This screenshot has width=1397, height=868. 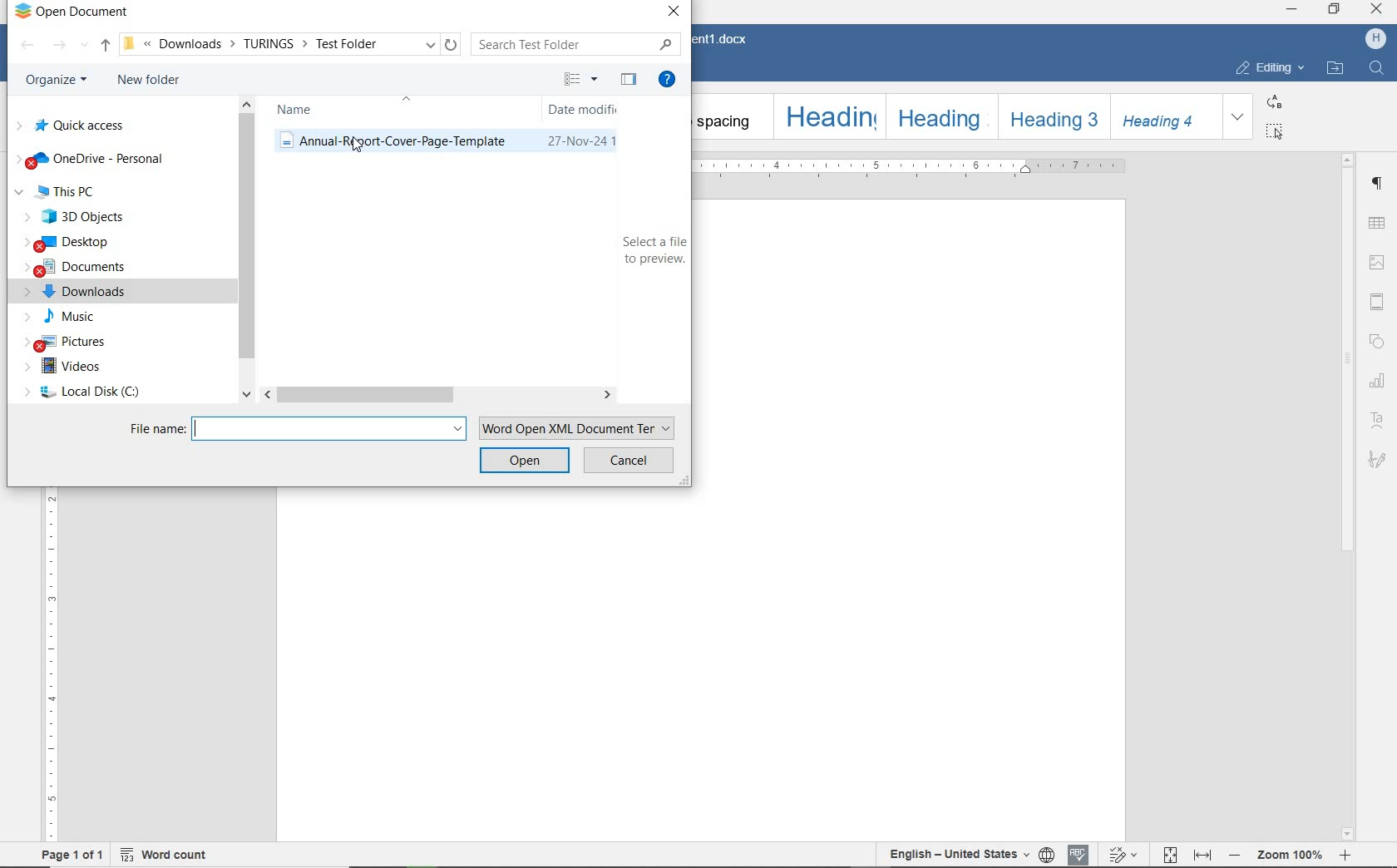 I want to click on shape, so click(x=1378, y=342).